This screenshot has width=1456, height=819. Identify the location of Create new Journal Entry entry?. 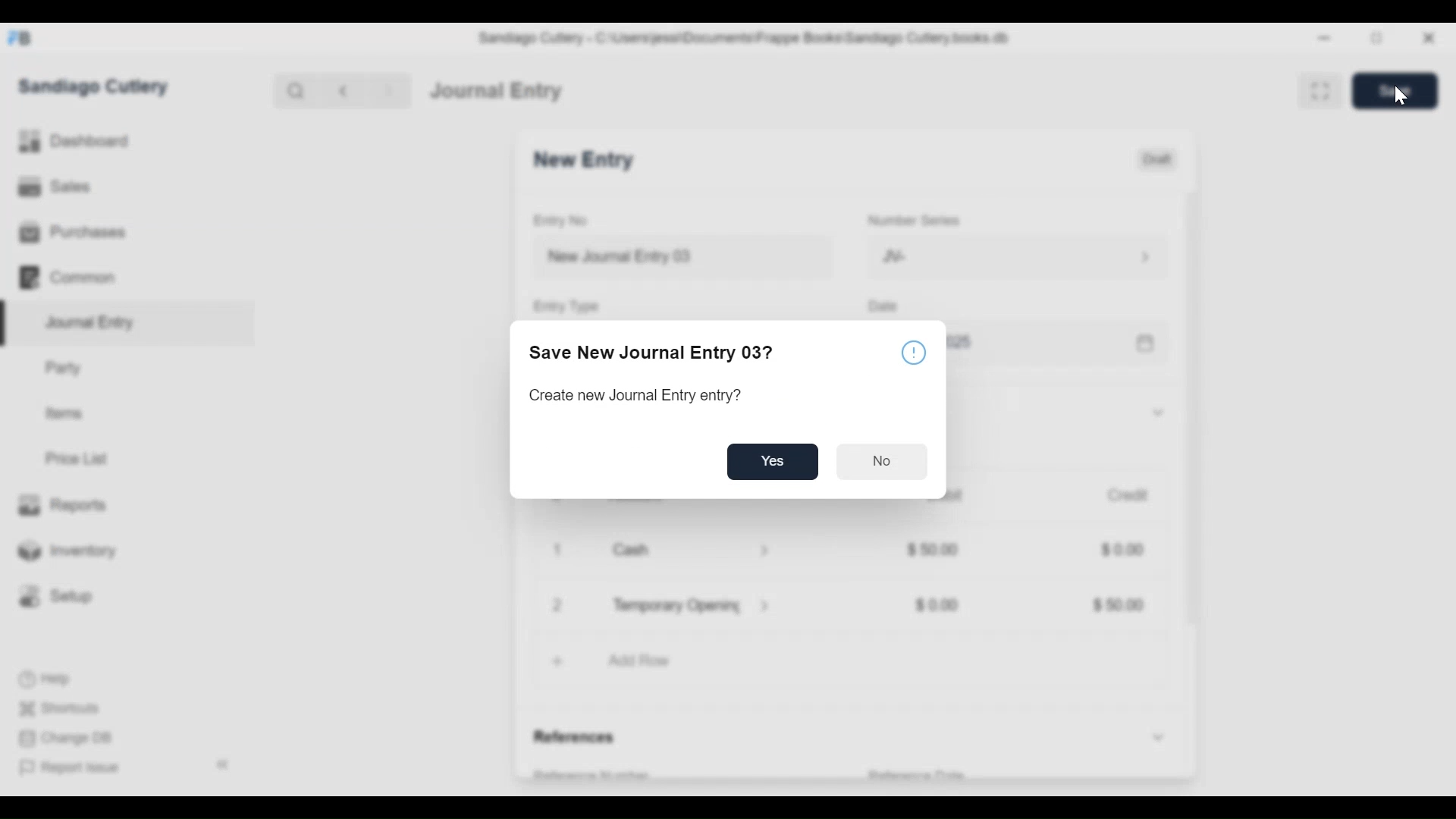
(637, 395).